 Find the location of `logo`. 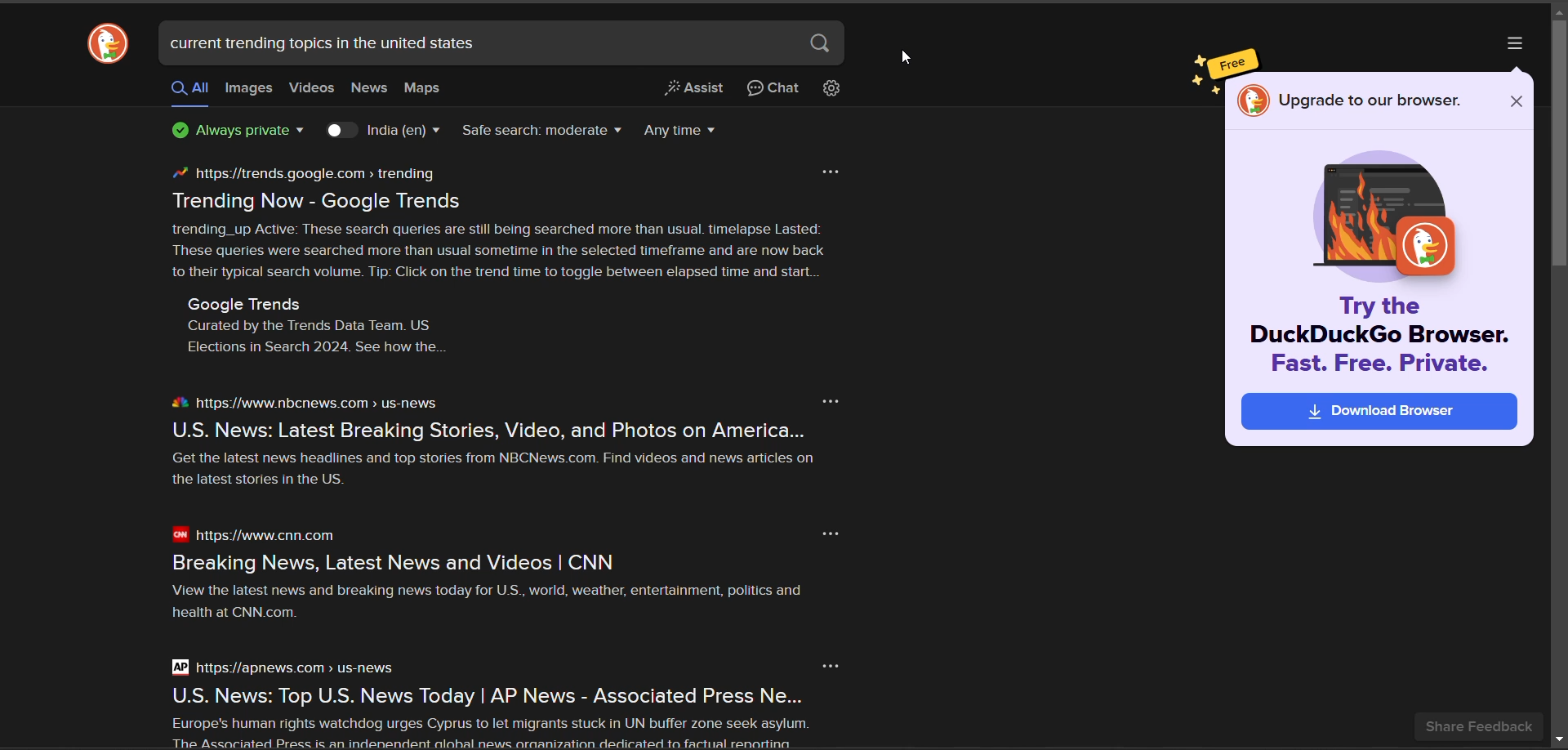

logo is located at coordinates (109, 42).